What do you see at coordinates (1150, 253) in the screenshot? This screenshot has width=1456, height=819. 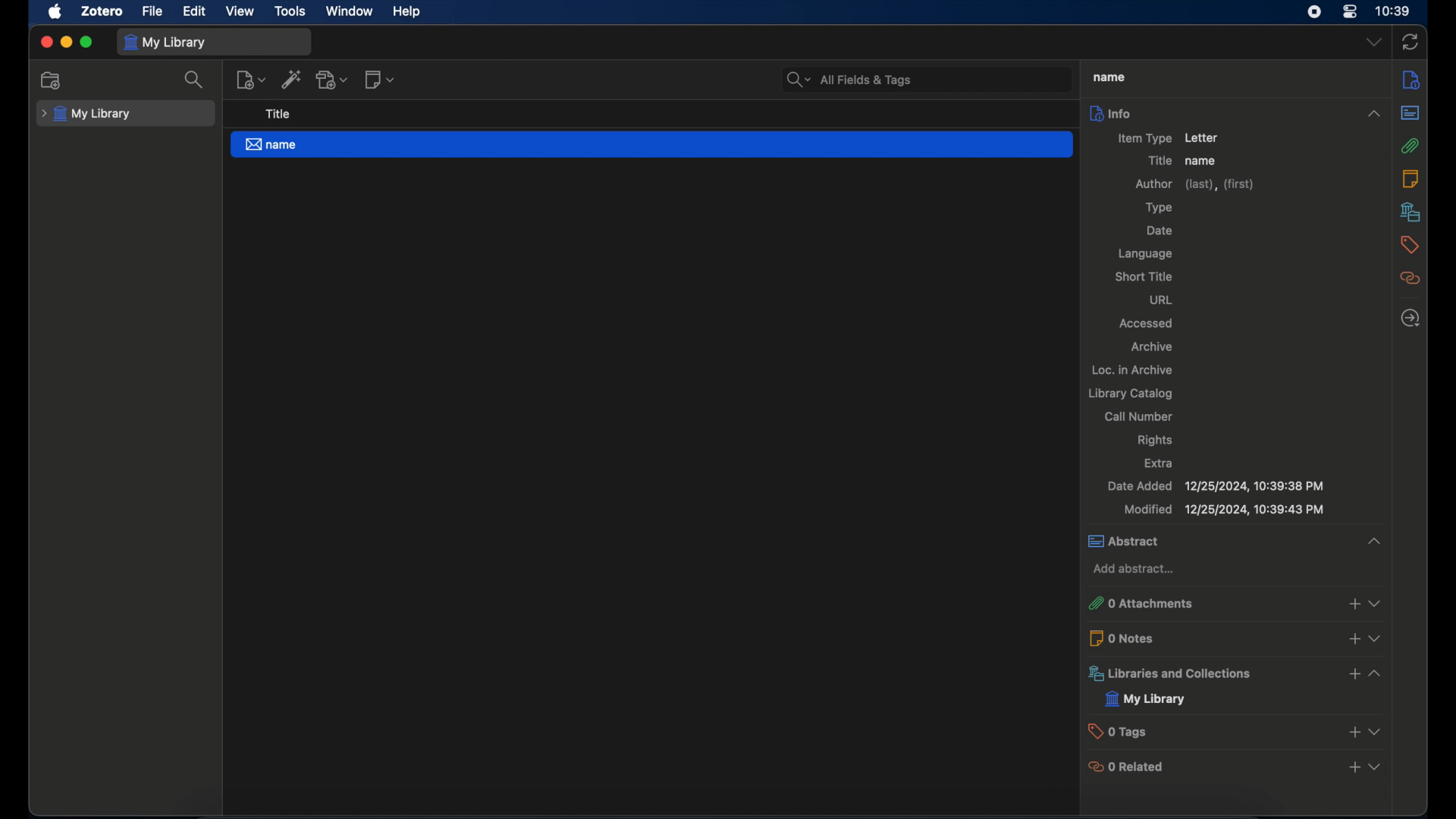 I see `language` at bounding box center [1150, 253].